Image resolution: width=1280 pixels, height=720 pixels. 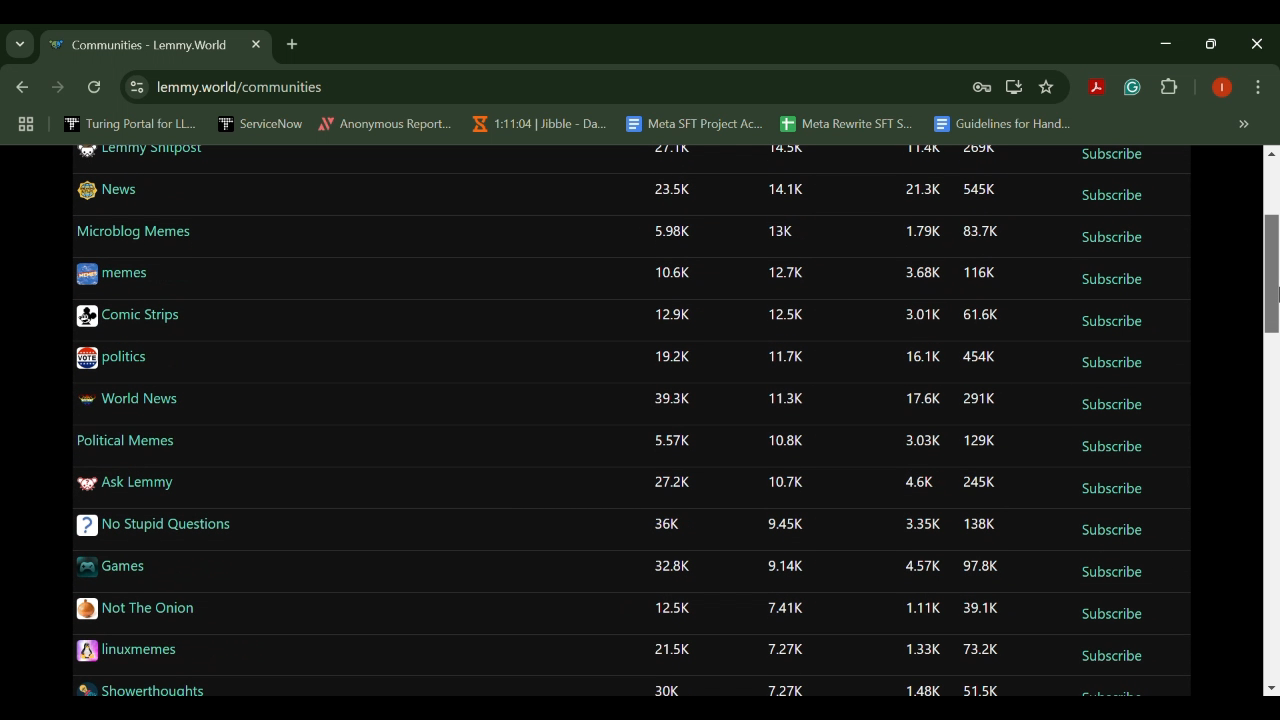 What do you see at coordinates (922, 402) in the screenshot?
I see `17.6K` at bounding box center [922, 402].